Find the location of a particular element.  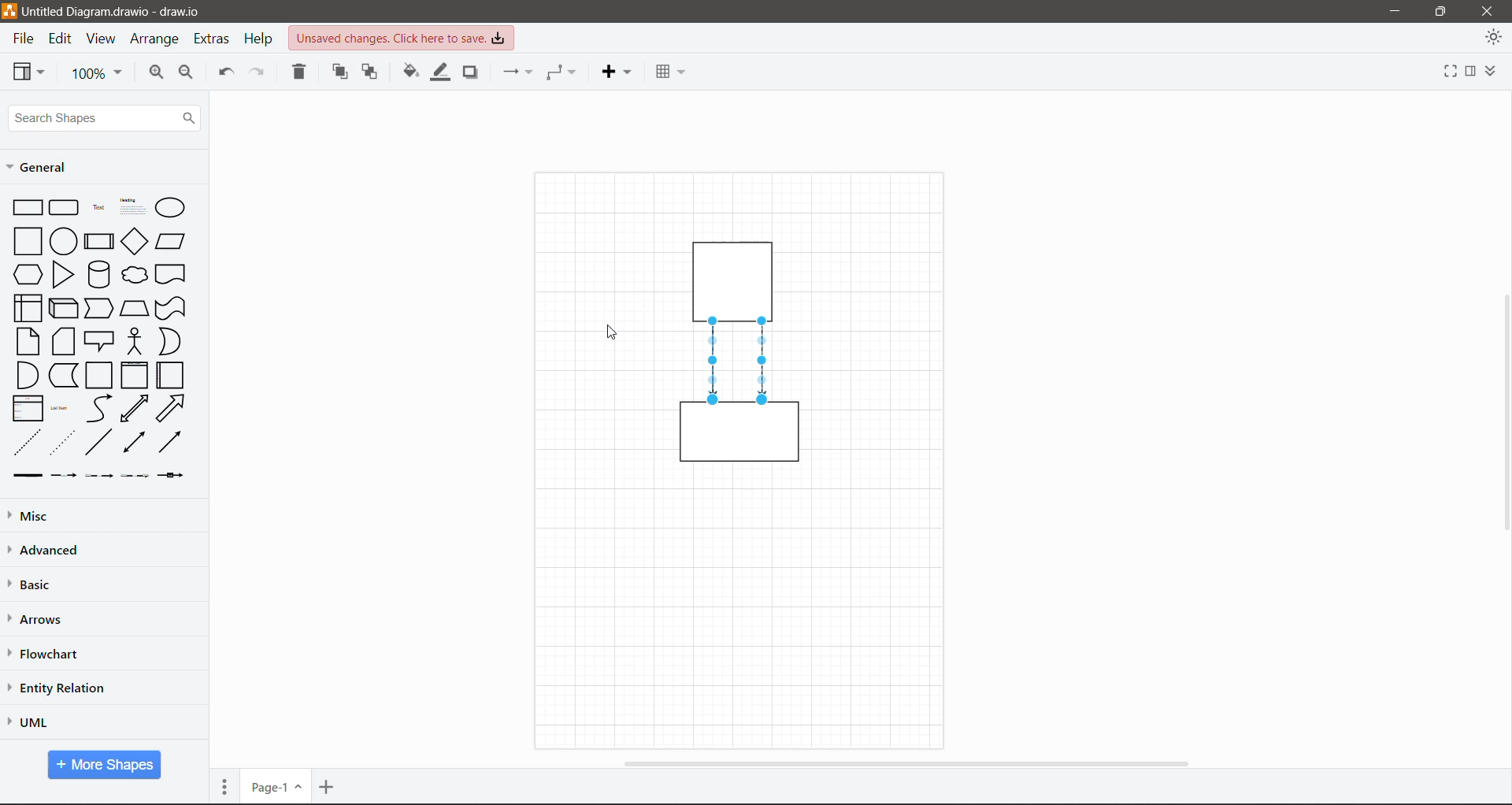

Horizontal Scroll Bar is located at coordinates (904, 762).